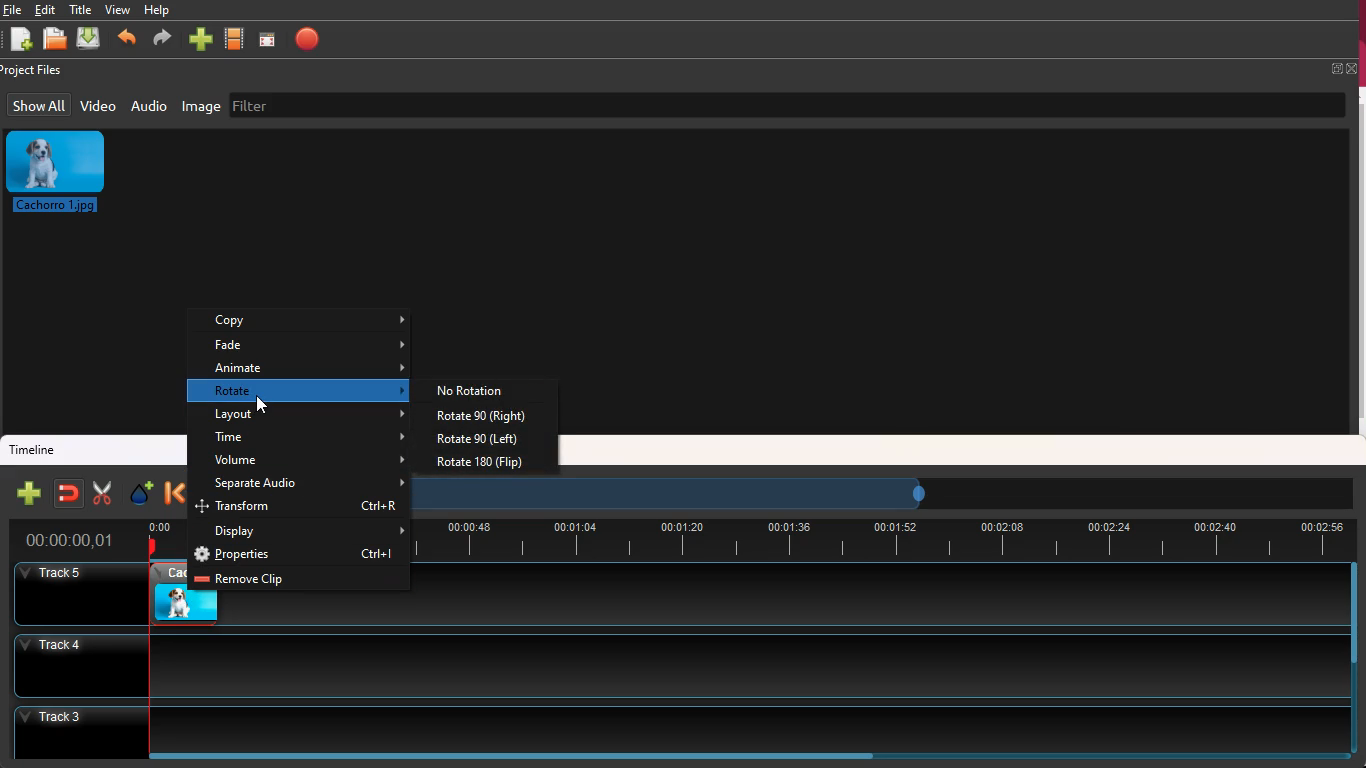 The height and width of the screenshot is (768, 1366). What do you see at coordinates (476, 391) in the screenshot?
I see `no rotation` at bounding box center [476, 391].